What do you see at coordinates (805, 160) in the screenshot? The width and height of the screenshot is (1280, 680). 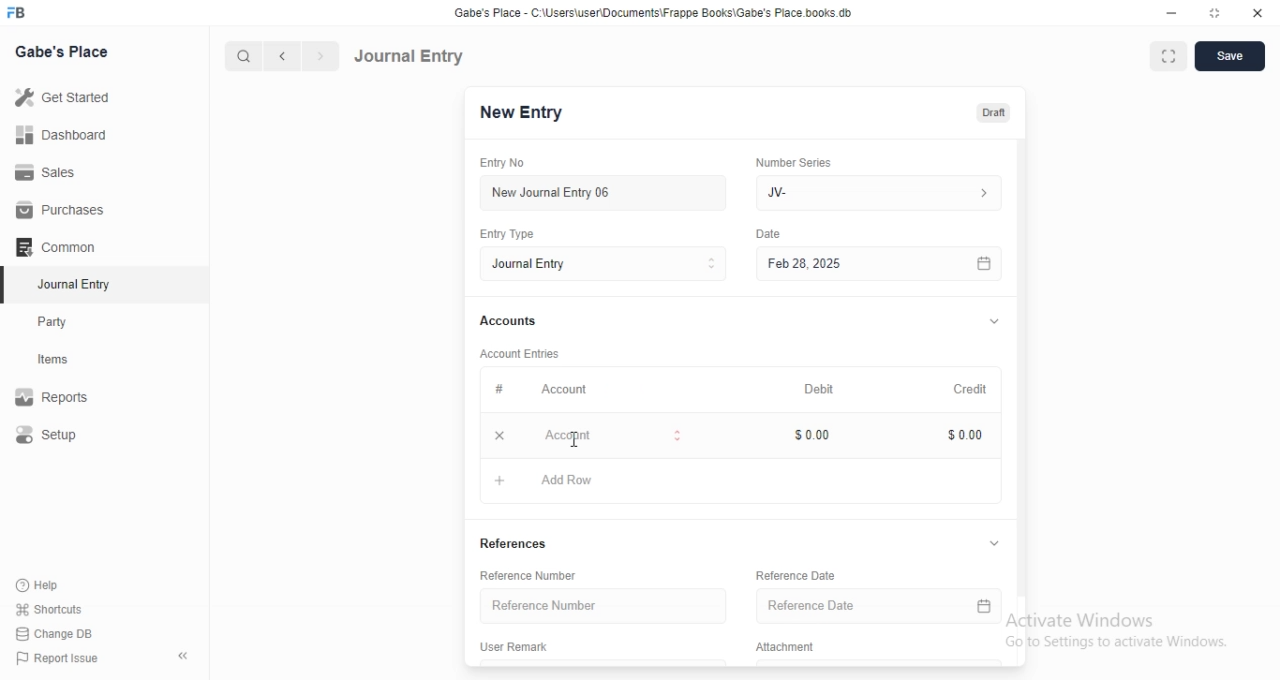 I see `‘Number Series` at bounding box center [805, 160].